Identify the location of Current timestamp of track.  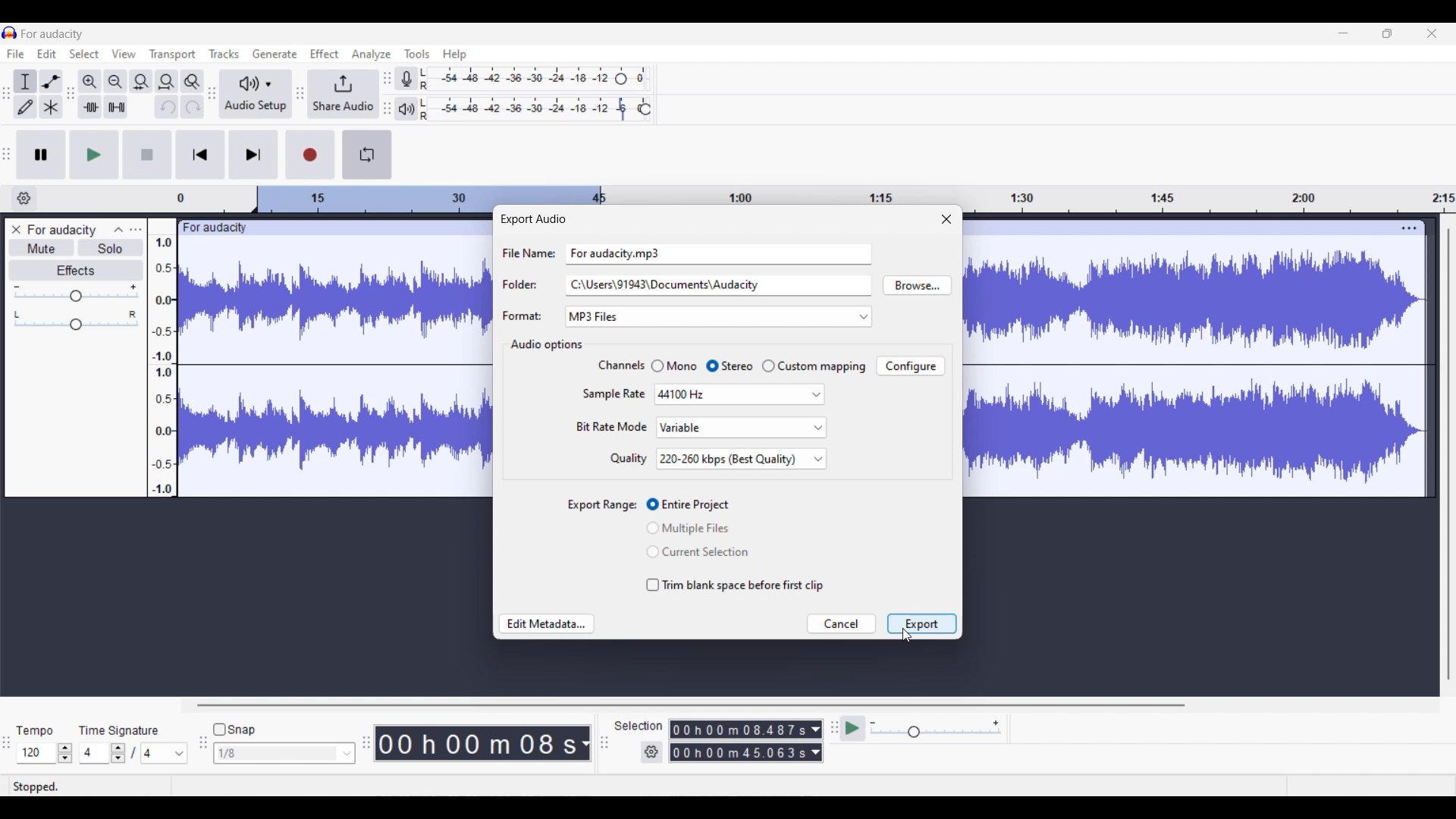
(473, 743).